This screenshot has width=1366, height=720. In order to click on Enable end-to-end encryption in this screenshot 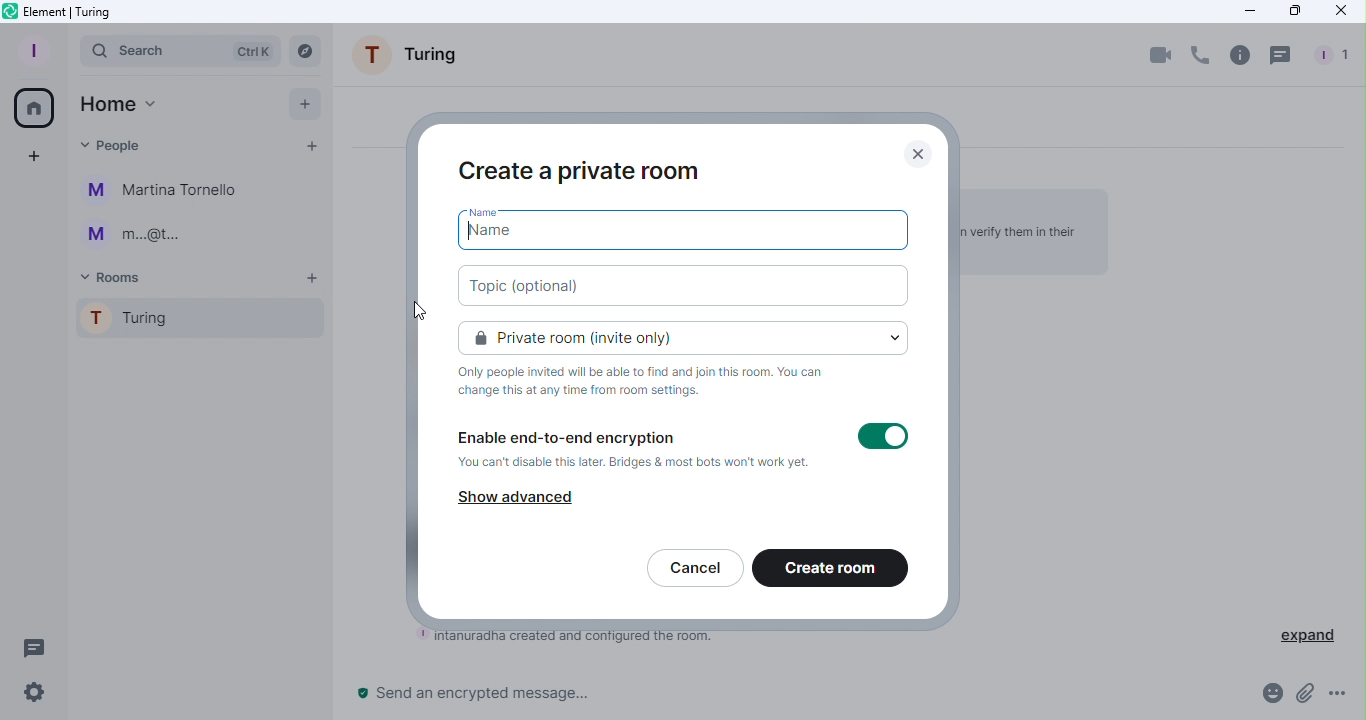, I will do `click(634, 451)`.